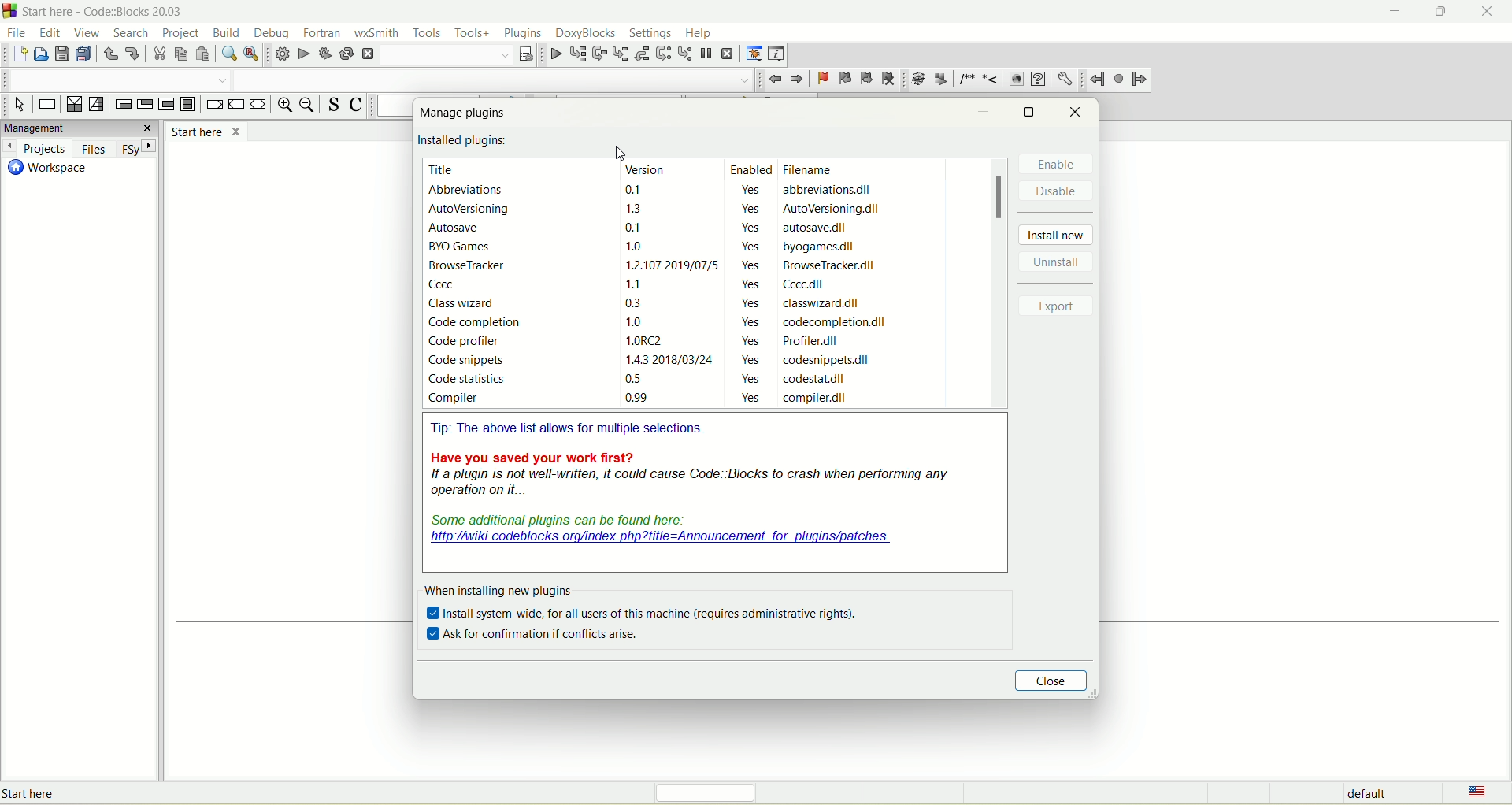  I want to click on file, so click(18, 33).